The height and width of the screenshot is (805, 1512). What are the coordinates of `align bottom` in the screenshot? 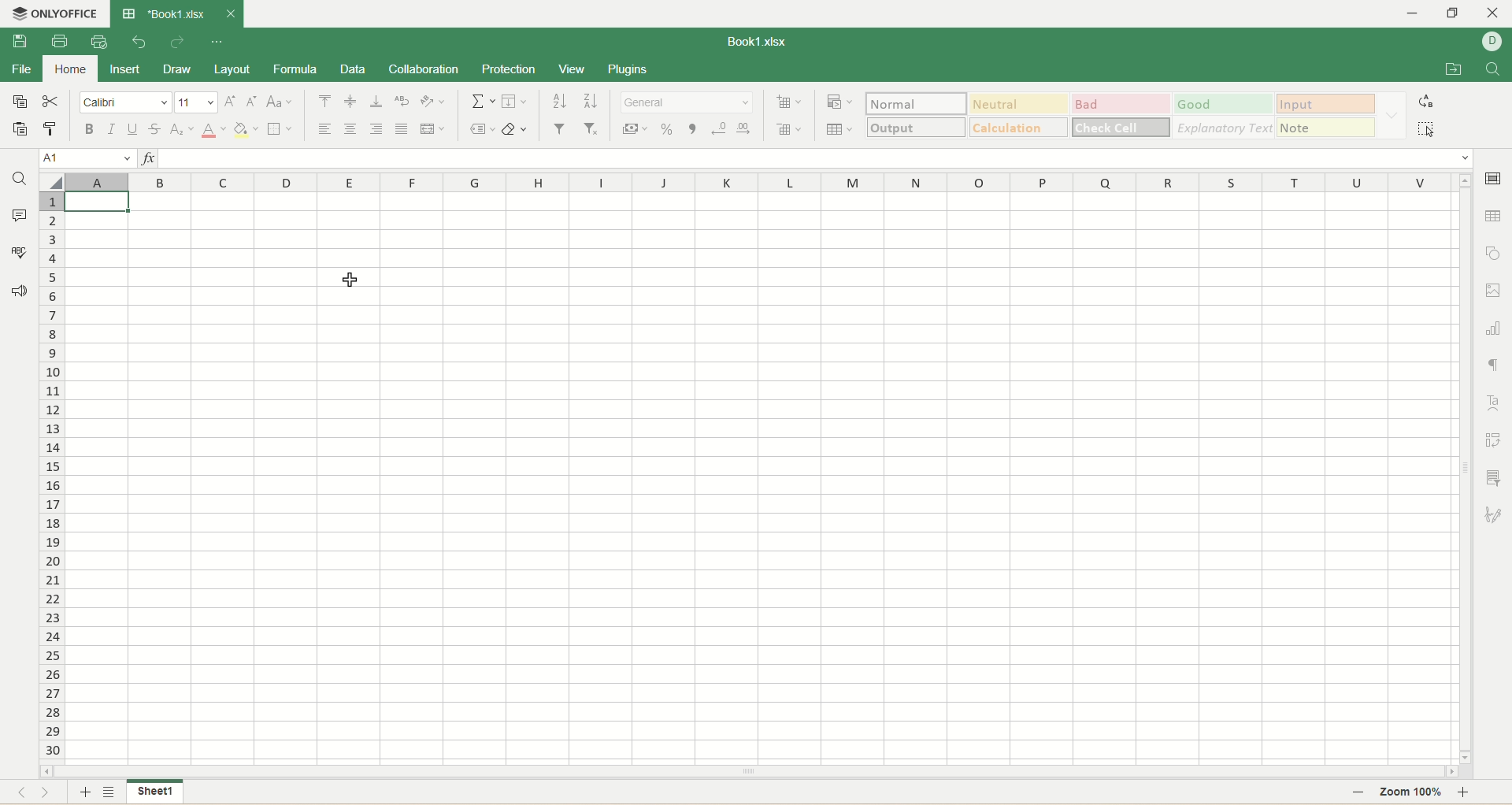 It's located at (376, 102).